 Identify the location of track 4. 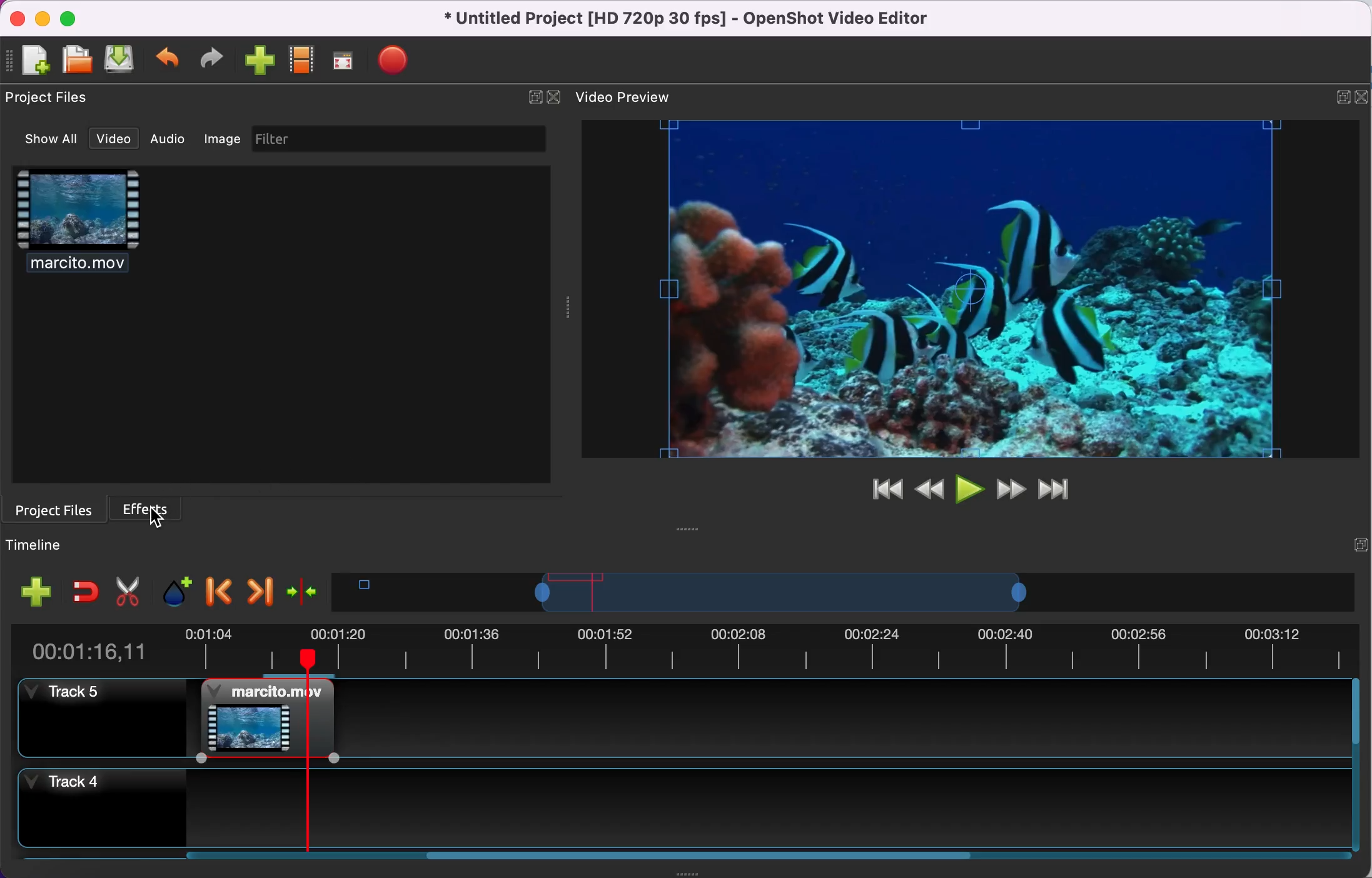
(682, 809).